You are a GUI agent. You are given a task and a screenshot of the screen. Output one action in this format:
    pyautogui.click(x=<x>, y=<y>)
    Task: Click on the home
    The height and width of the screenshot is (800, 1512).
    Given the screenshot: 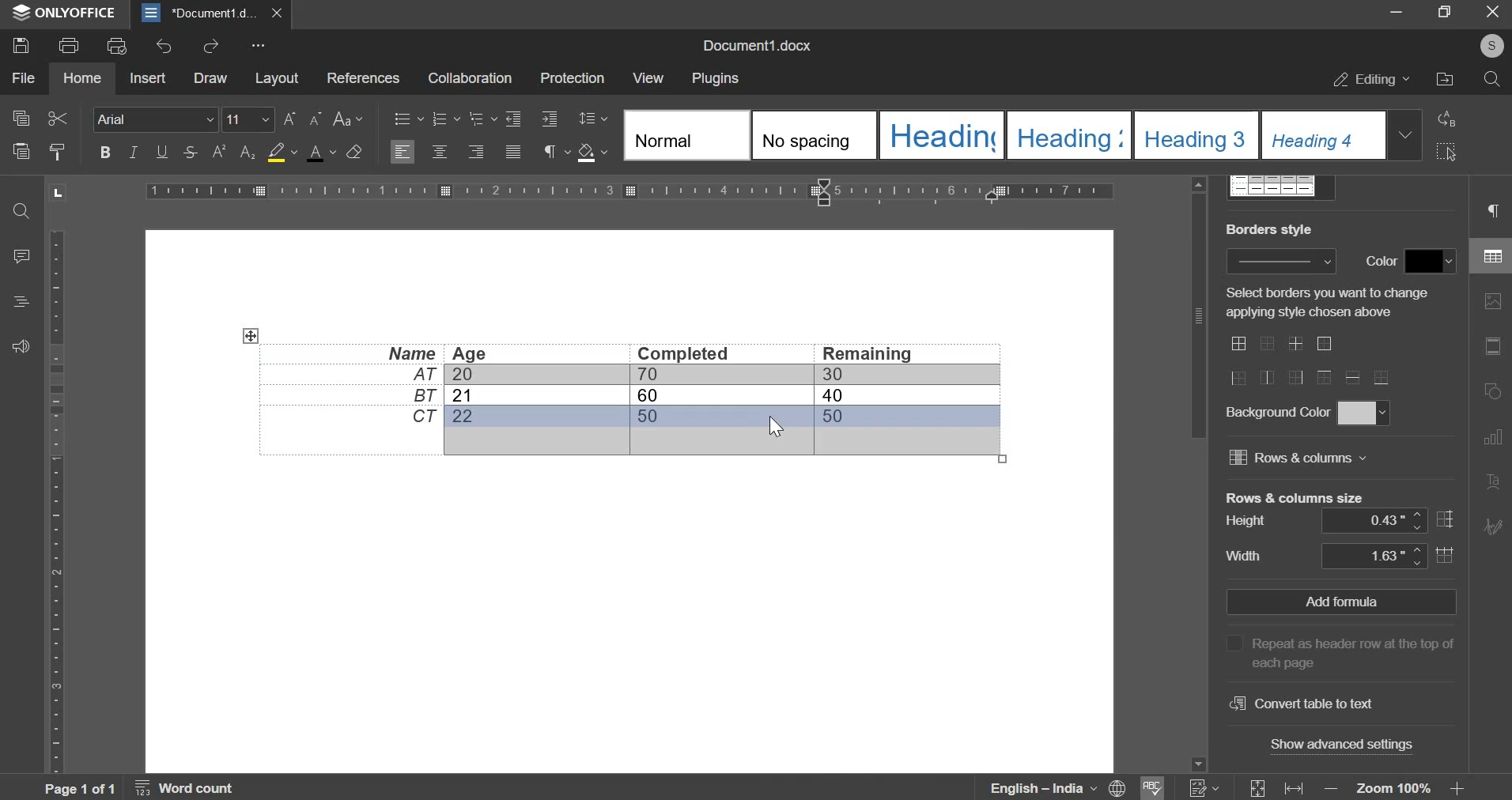 What is the action you would take?
    pyautogui.click(x=81, y=77)
    